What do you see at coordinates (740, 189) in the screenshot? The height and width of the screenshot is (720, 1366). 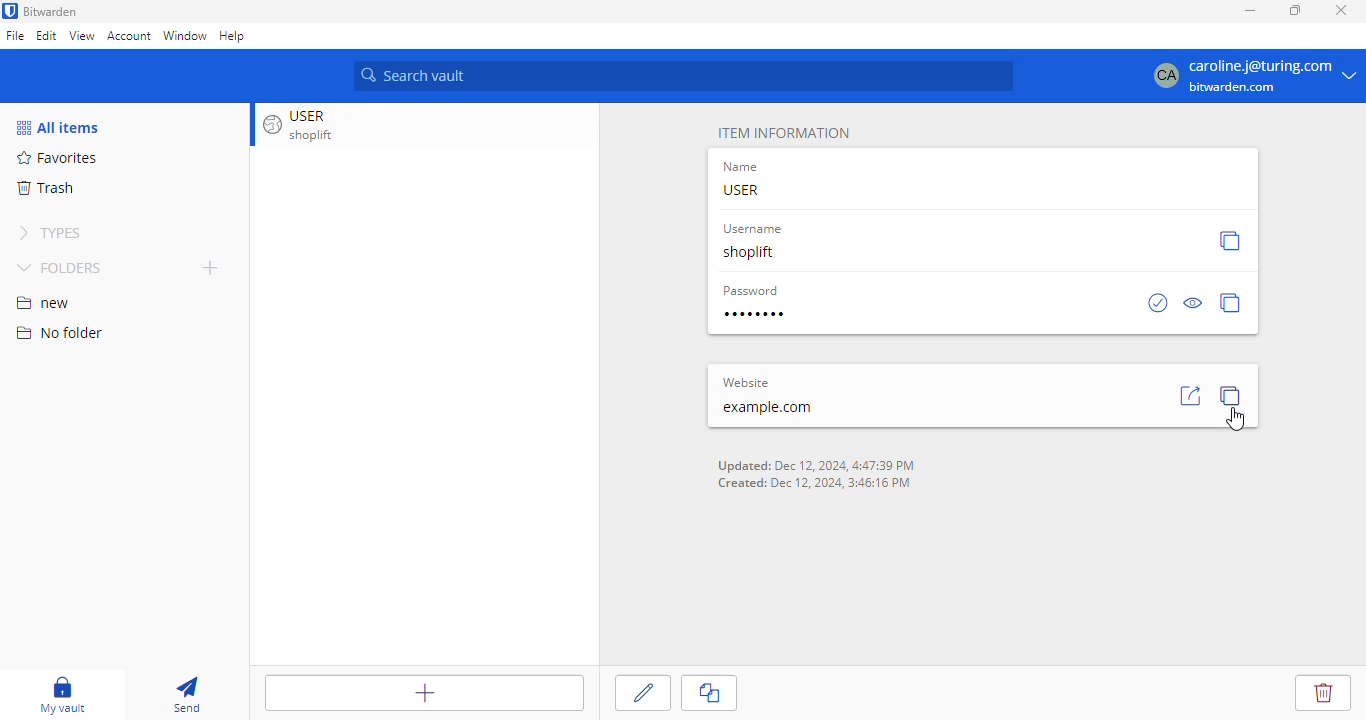 I see `USER` at bounding box center [740, 189].